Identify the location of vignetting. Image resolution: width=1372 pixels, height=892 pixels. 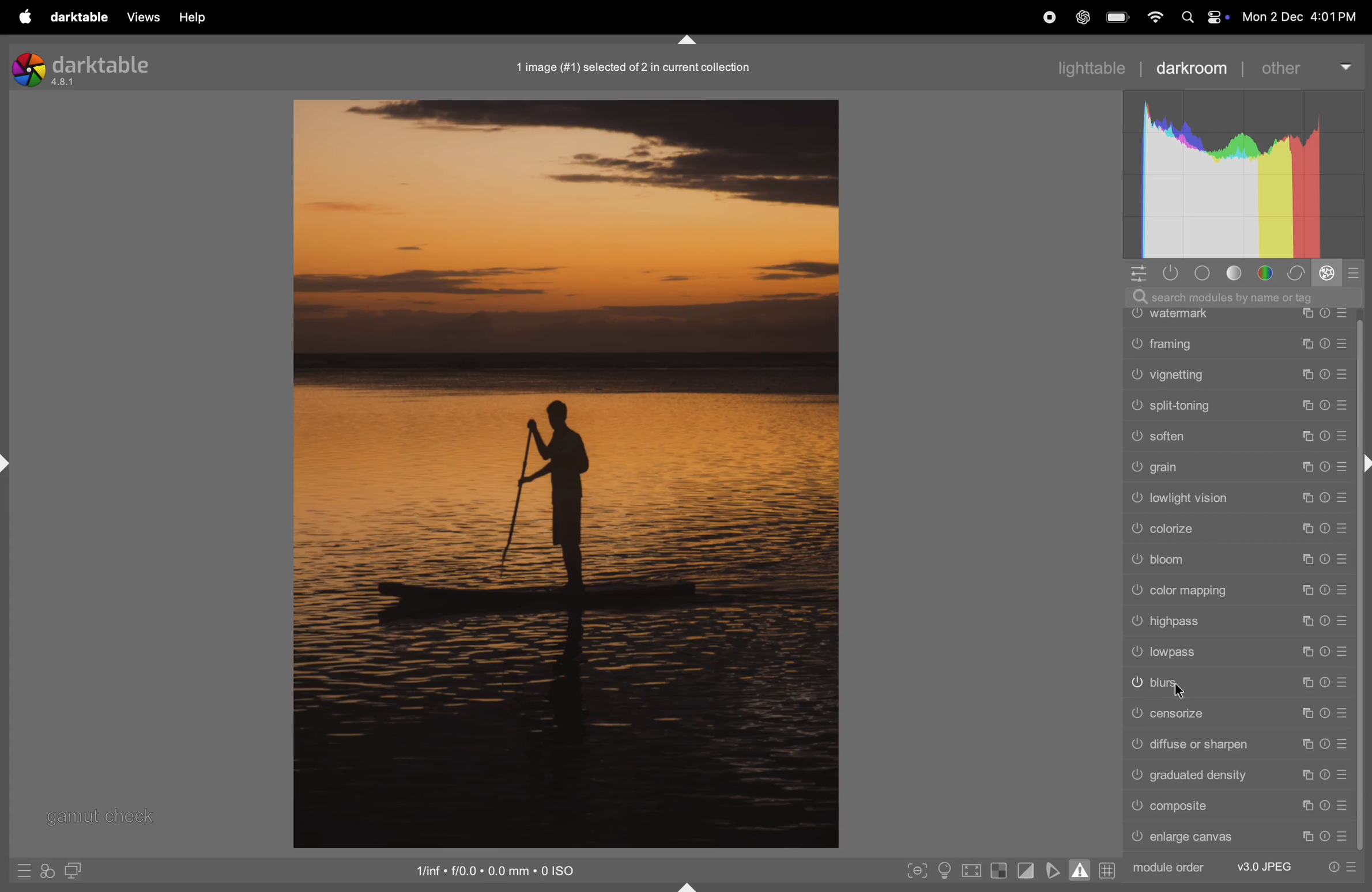
(1236, 375).